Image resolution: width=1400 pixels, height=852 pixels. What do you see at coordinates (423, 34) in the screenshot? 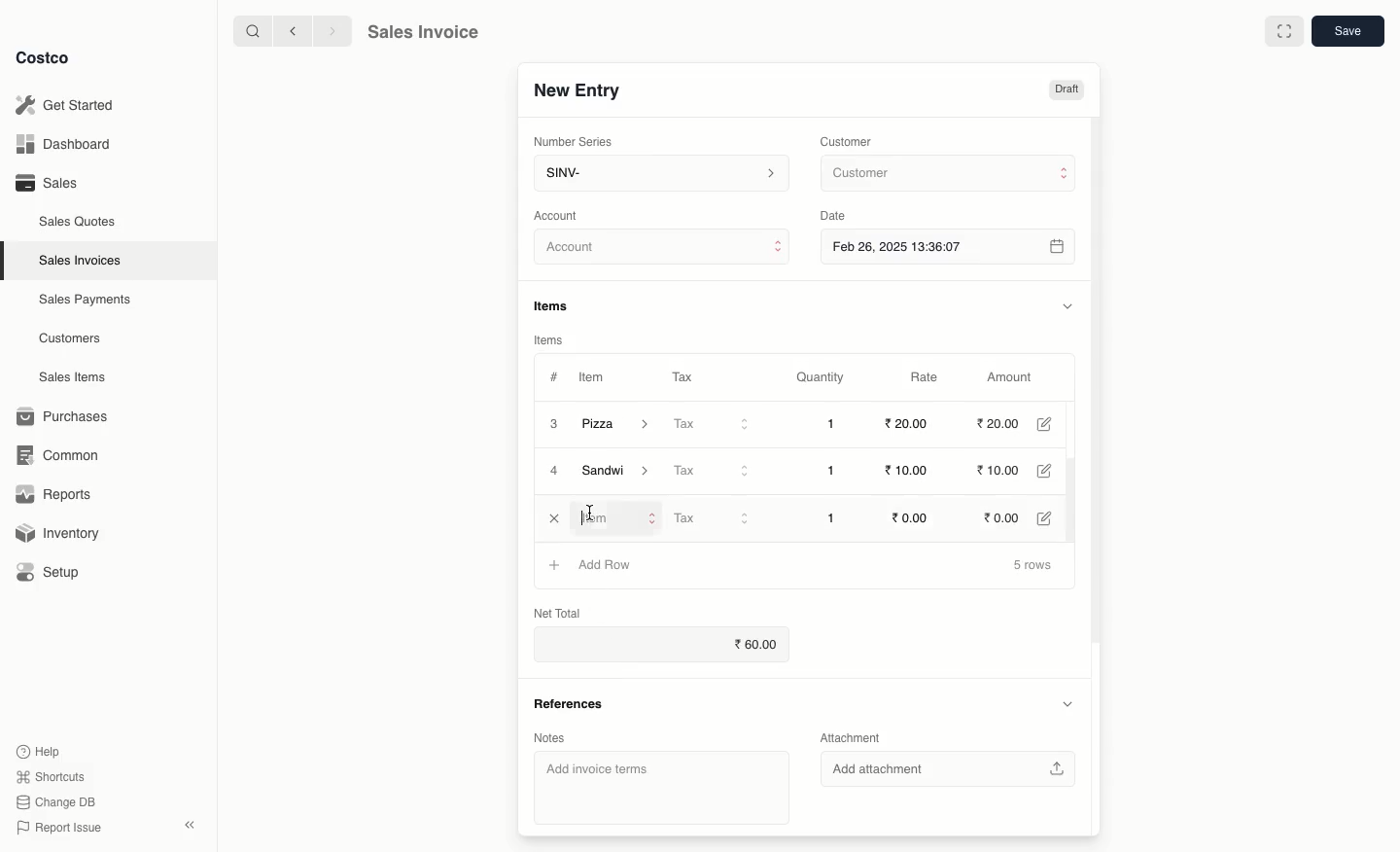
I see `Sales Invoice` at bounding box center [423, 34].